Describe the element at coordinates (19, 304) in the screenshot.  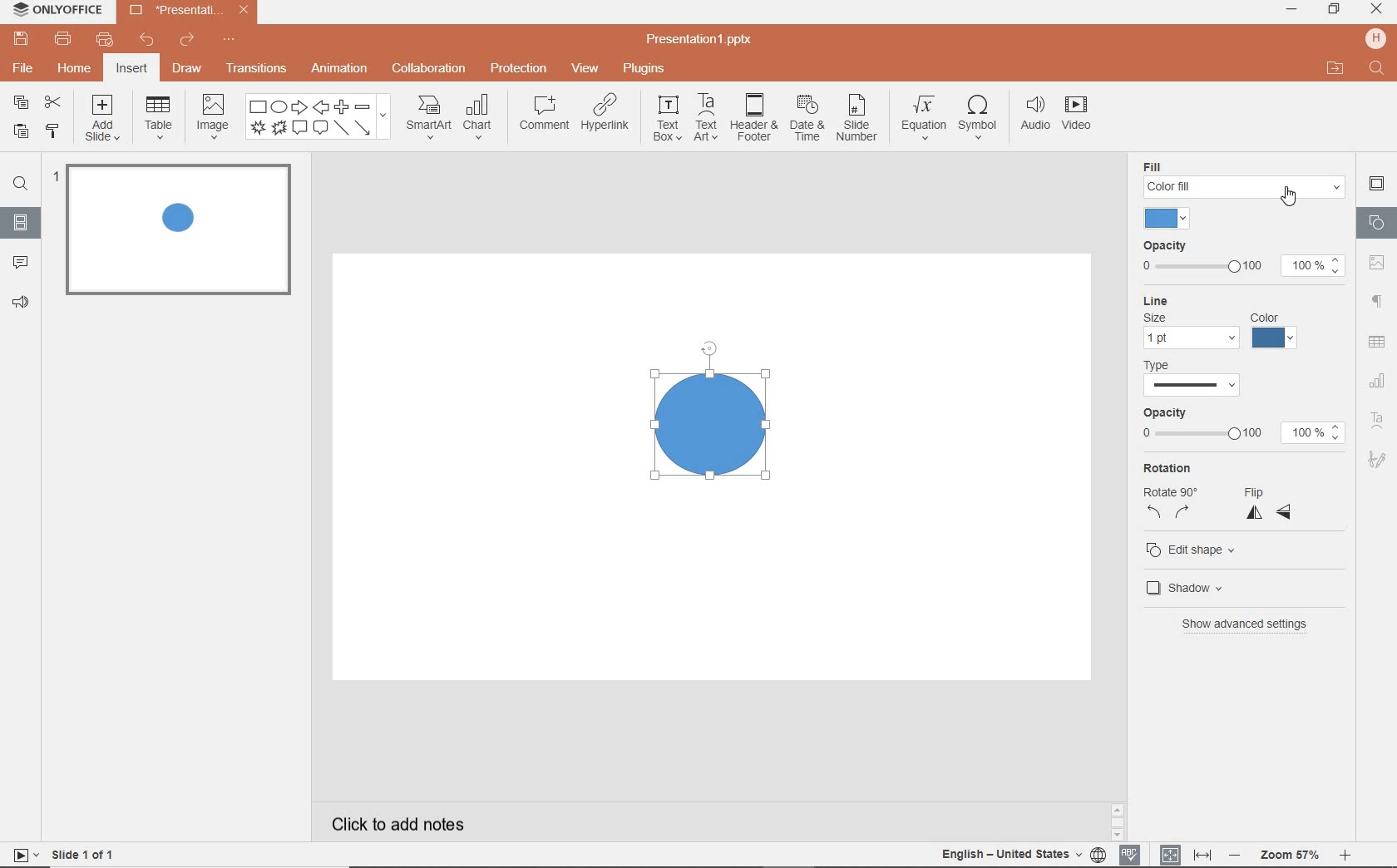
I see `feedback & support` at that location.